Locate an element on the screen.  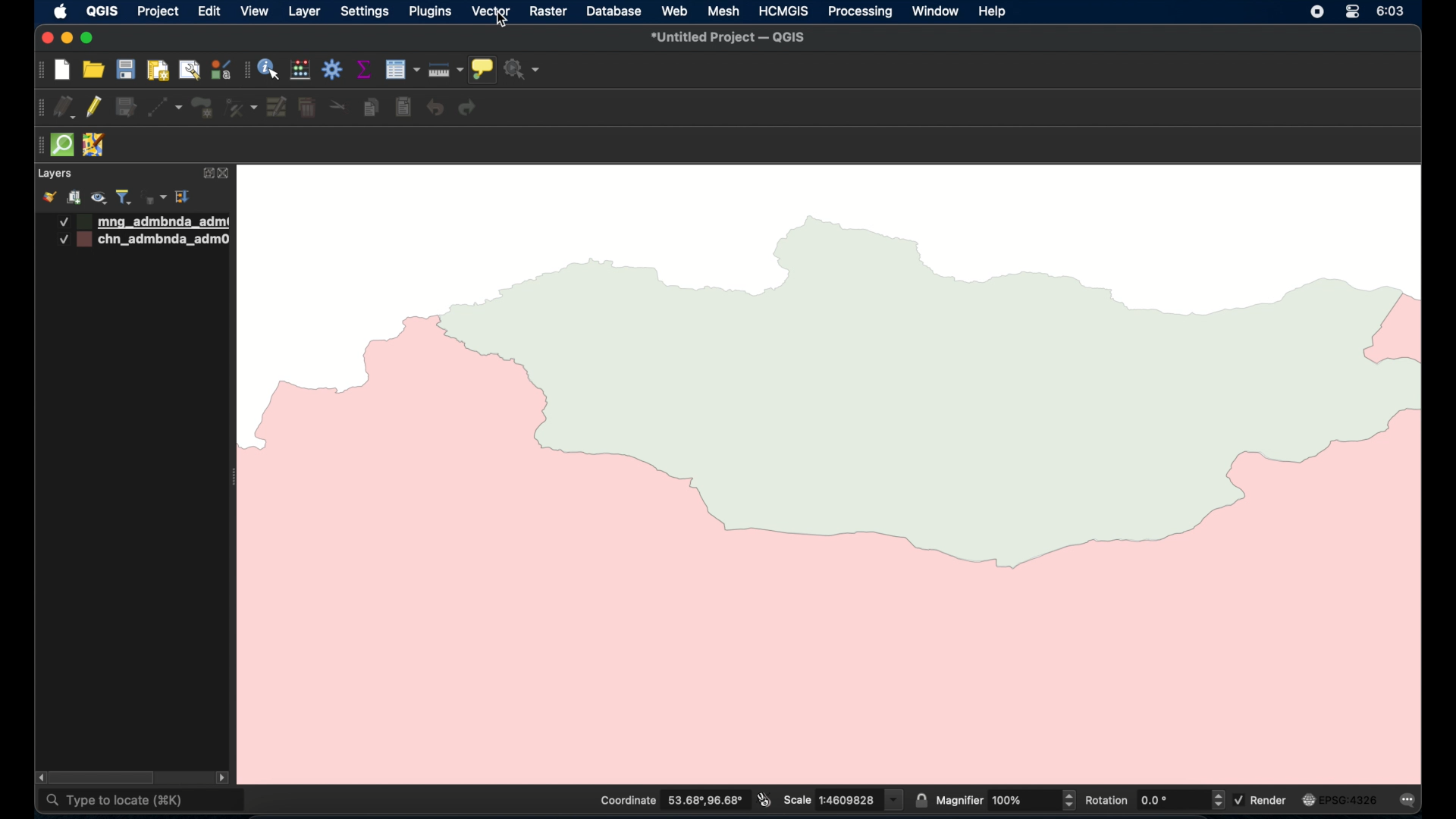
cursor is located at coordinates (504, 22).